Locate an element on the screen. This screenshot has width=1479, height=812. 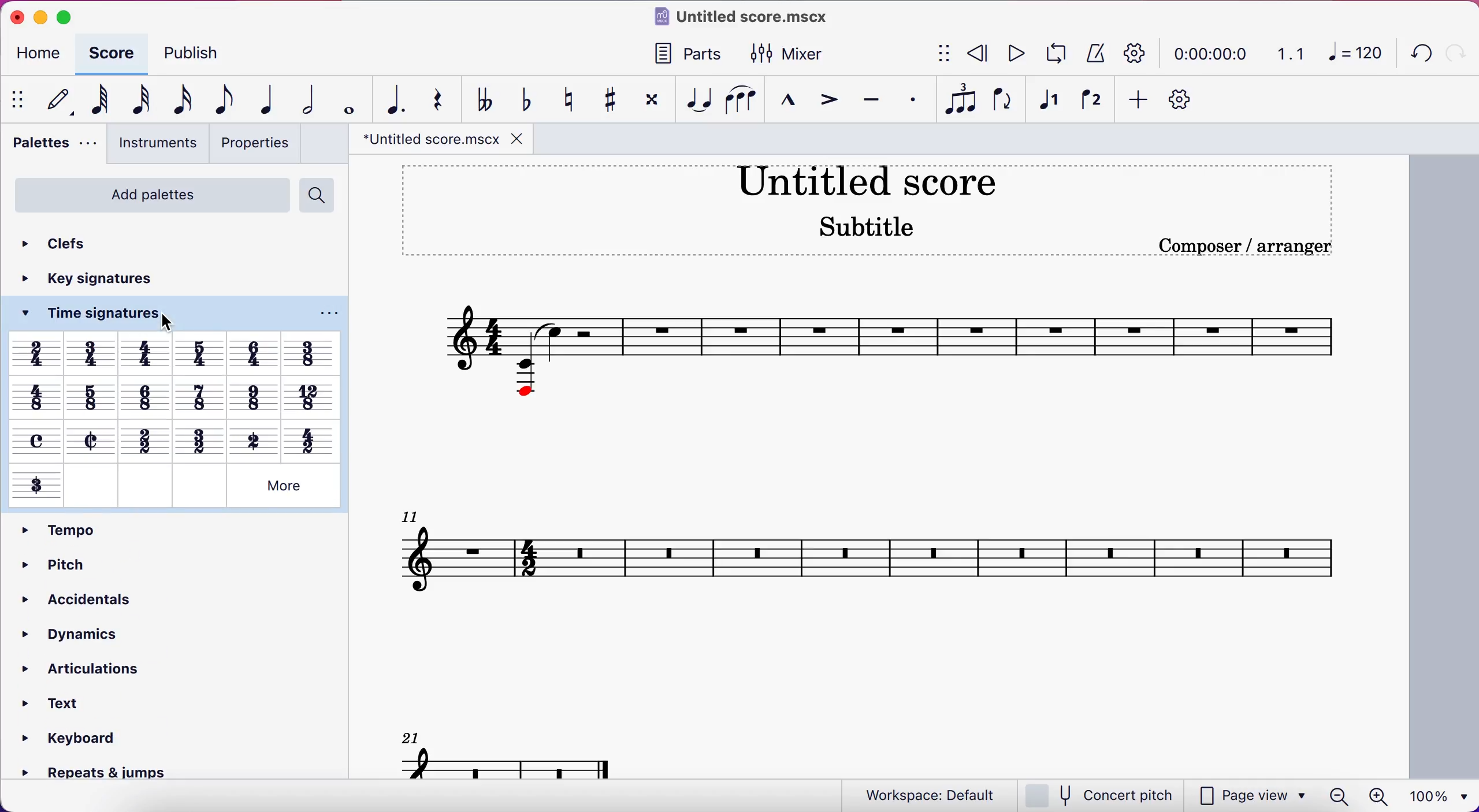
score is located at coordinates (890, 535).